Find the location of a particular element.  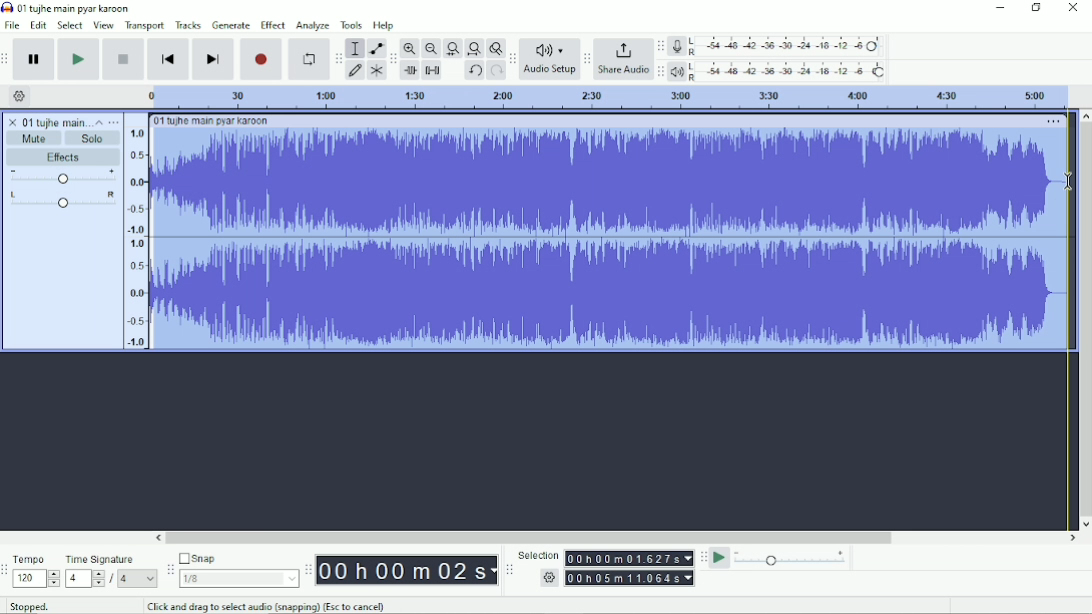

Stop is located at coordinates (124, 60).